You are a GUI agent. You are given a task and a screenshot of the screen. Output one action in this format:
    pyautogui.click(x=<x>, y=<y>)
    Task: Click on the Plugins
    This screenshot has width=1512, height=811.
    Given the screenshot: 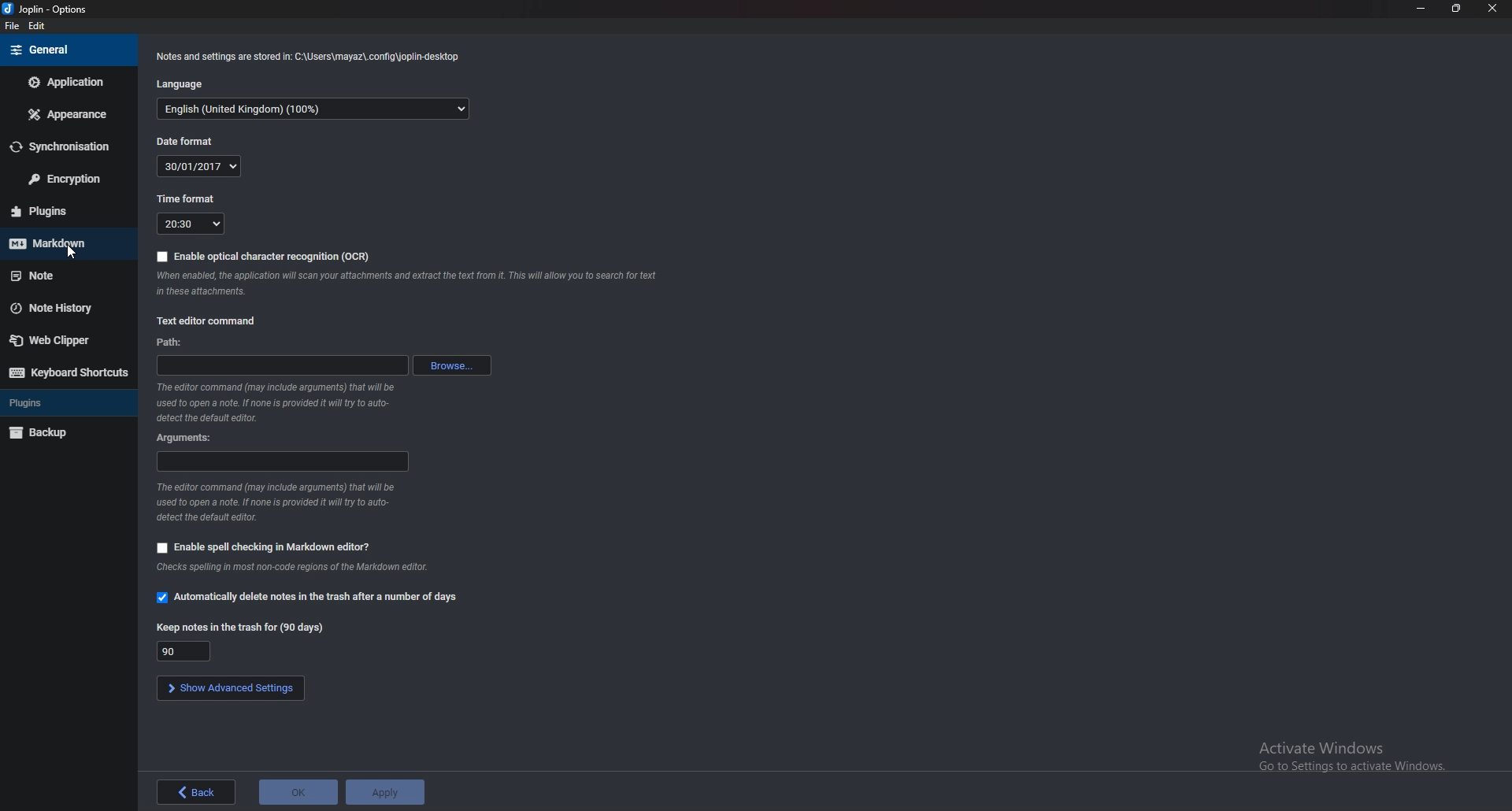 What is the action you would take?
    pyautogui.click(x=60, y=212)
    